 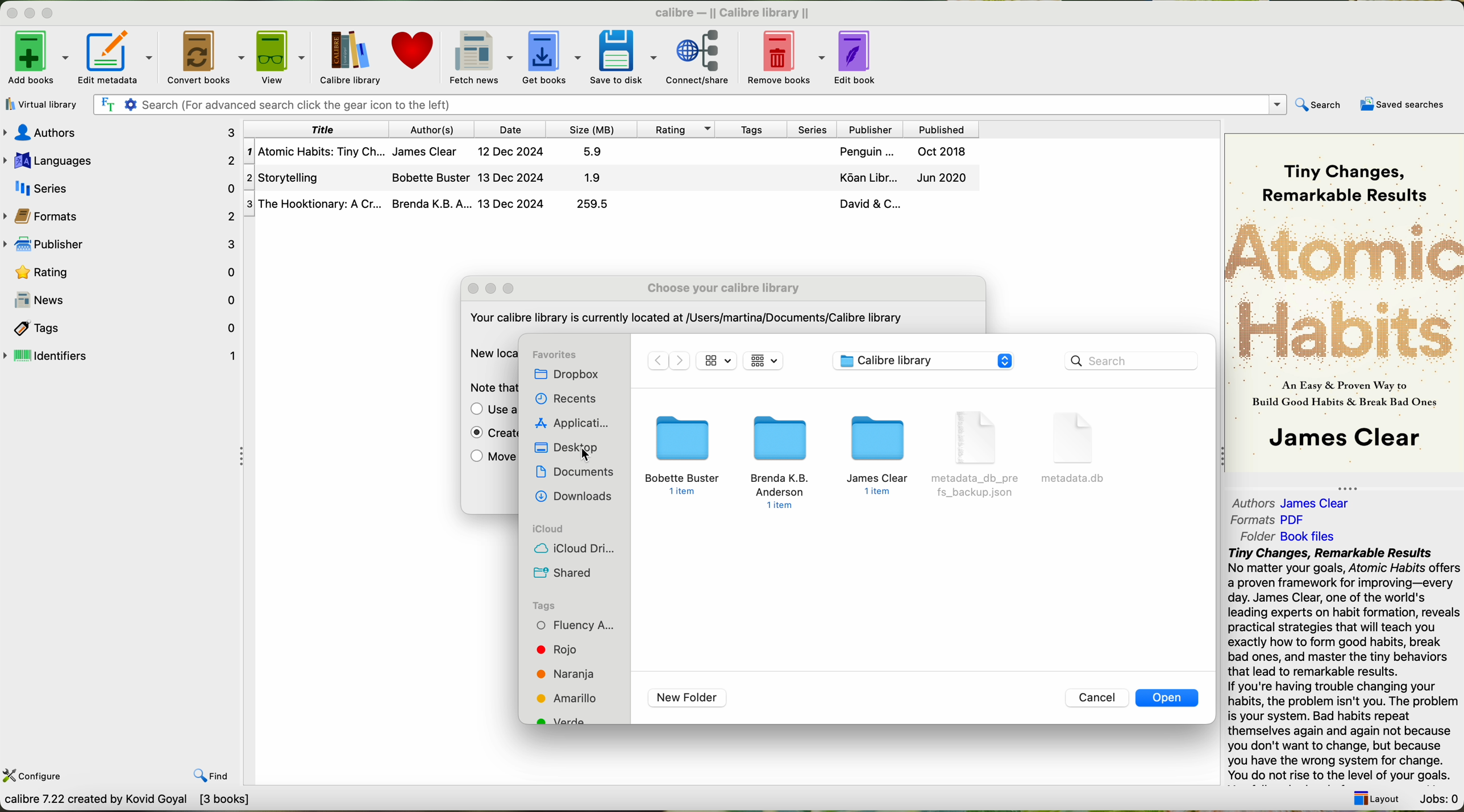 I want to click on search, so click(x=1317, y=106).